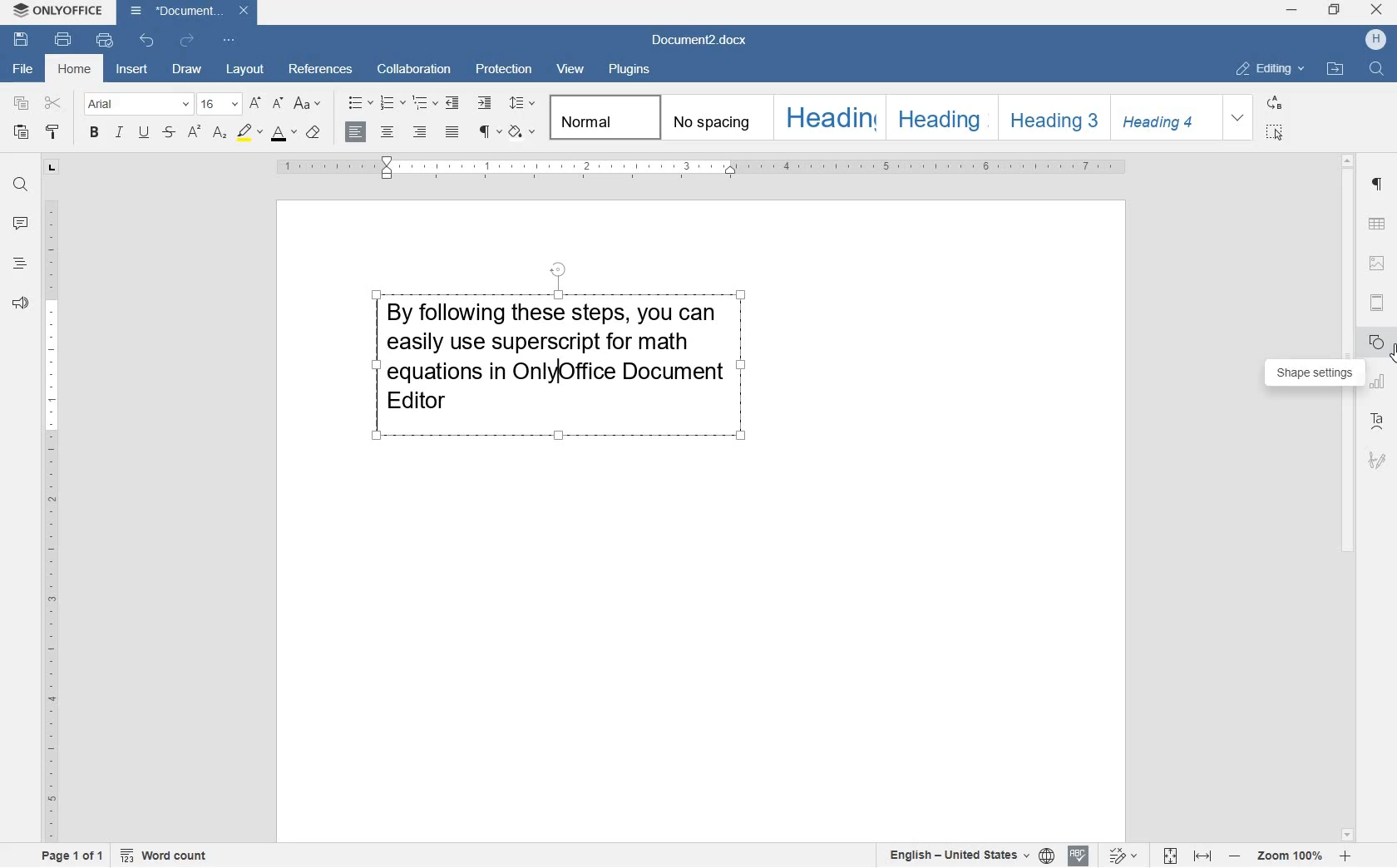 This screenshot has height=868, width=1397. Describe the element at coordinates (522, 131) in the screenshot. I see `shading` at that location.